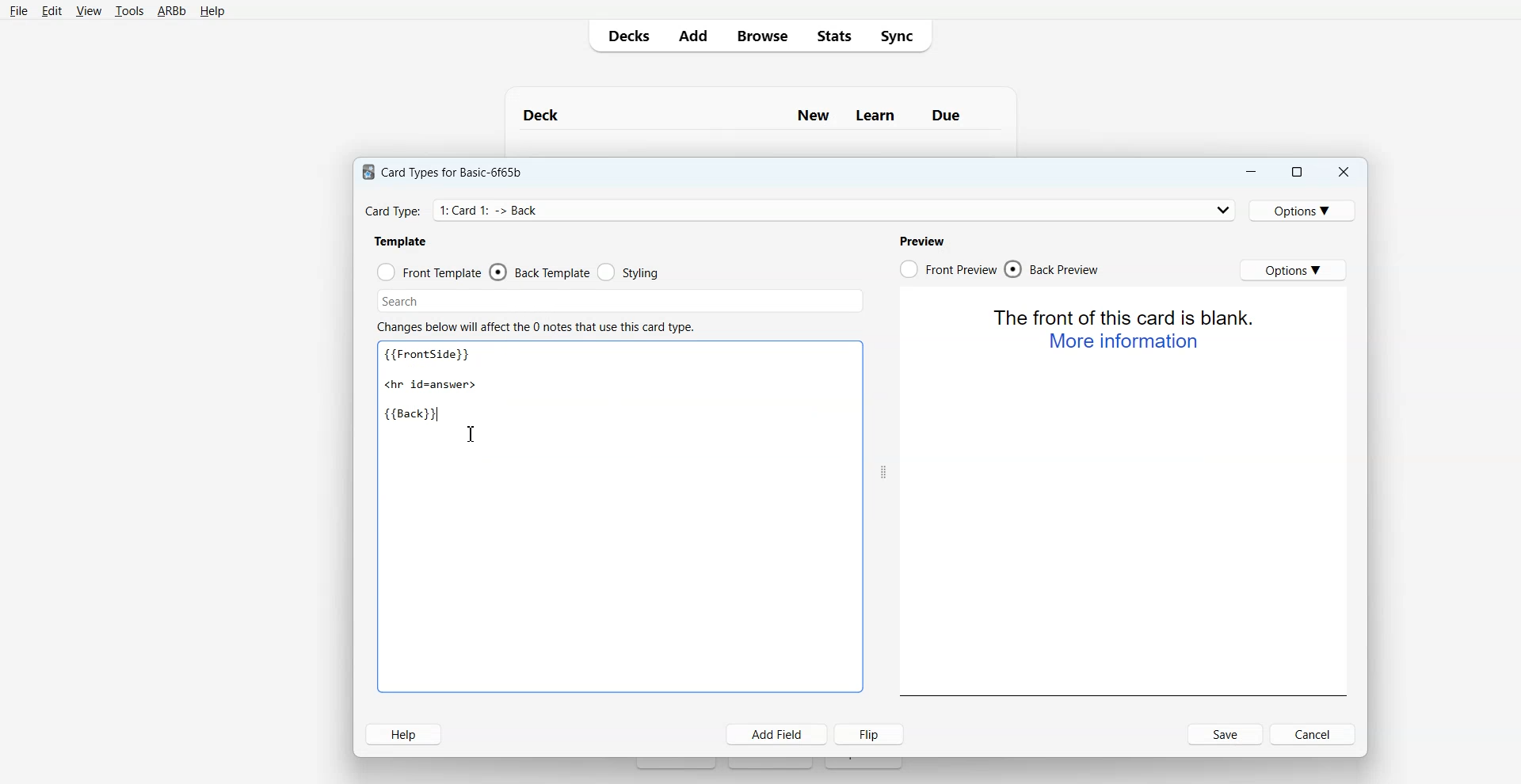 This screenshot has height=784, width=1521. I want to click on Add Field, so click(777, 734).